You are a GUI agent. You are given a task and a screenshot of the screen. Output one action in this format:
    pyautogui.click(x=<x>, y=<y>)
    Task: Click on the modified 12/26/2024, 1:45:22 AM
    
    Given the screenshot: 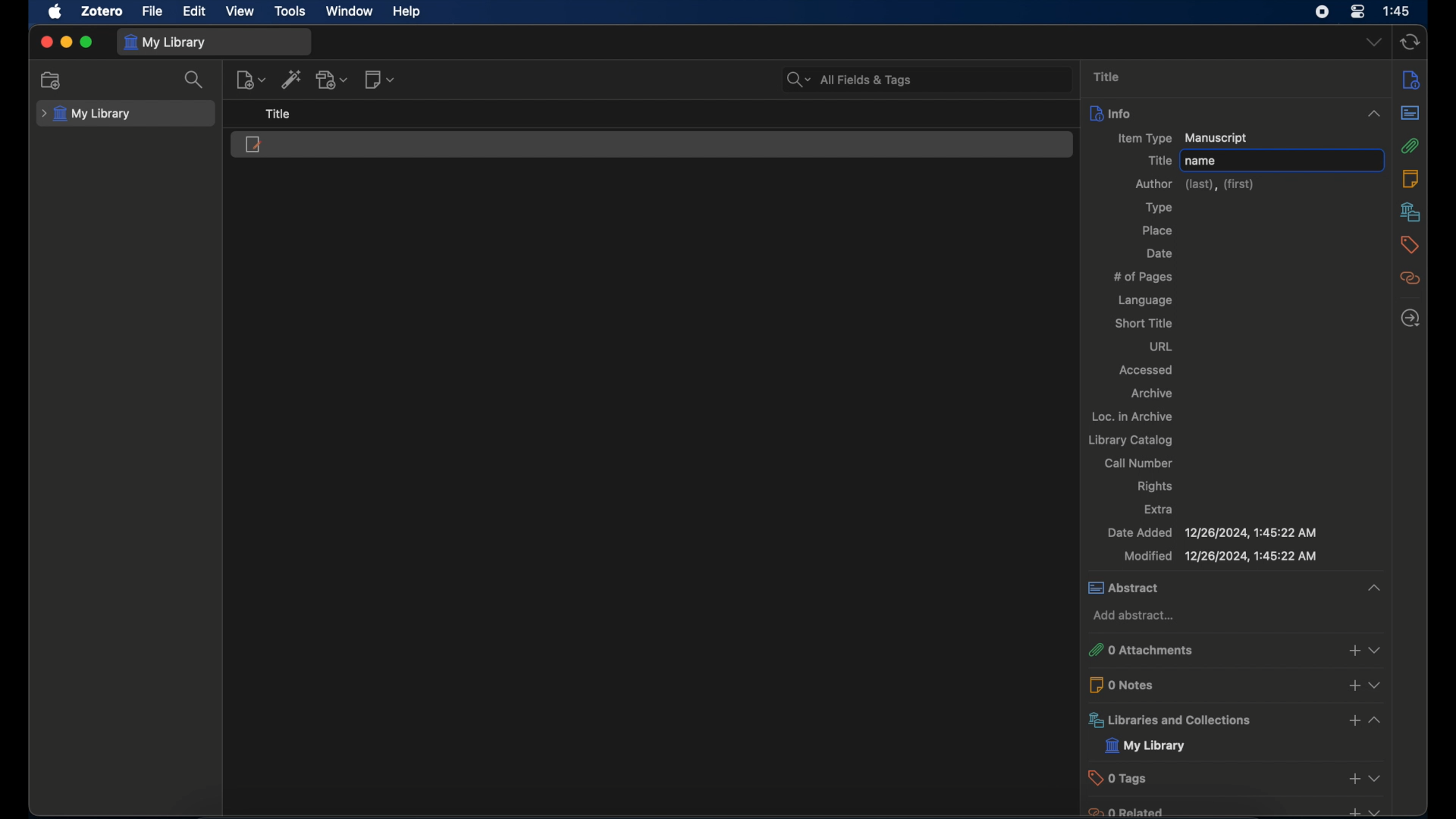 What is the action you would take?
    pyautogui.click(x=1220, y=556)
    